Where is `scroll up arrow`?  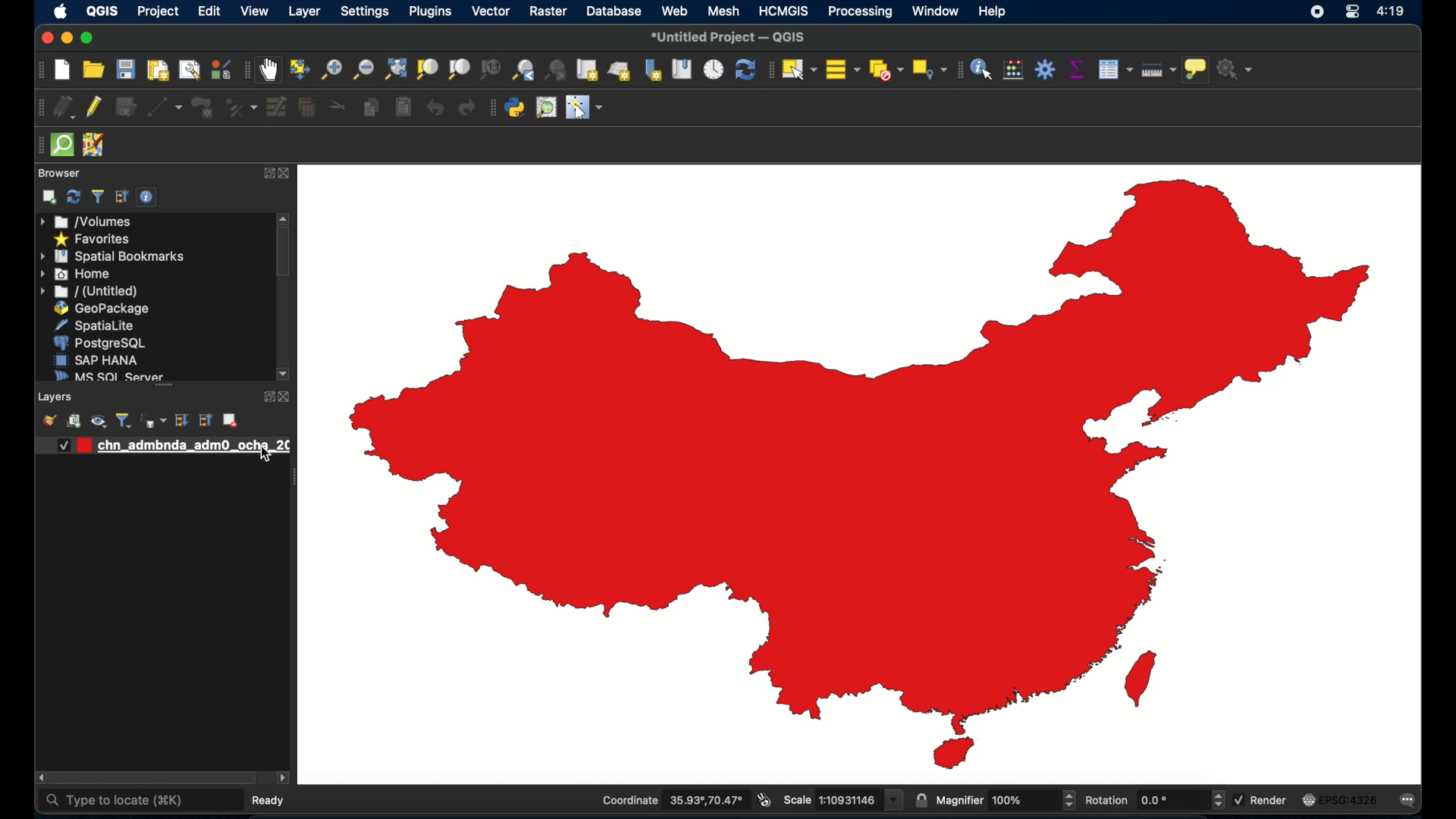 scroll up arrow is located at coordinates (284, 217).